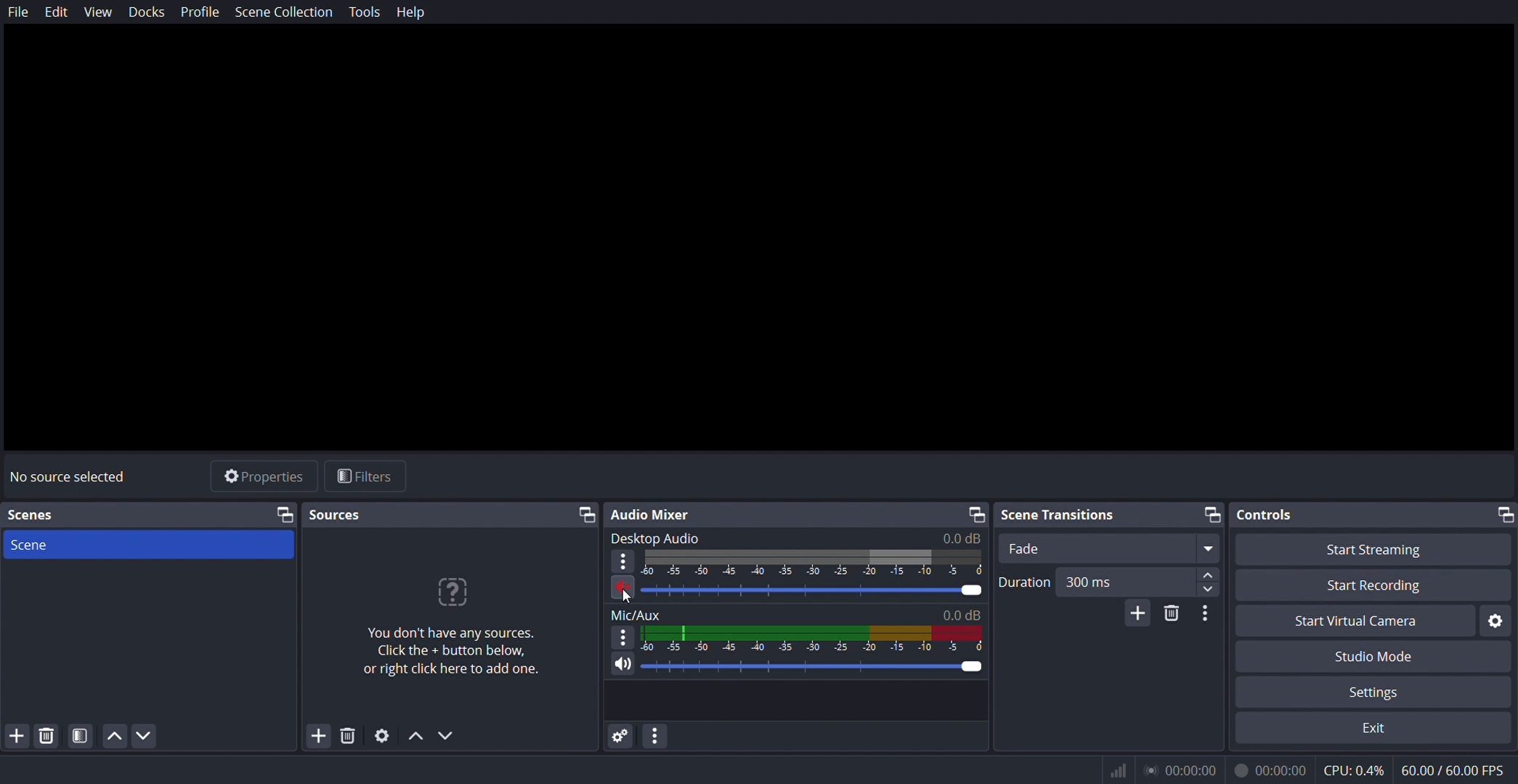  What do you see at coordinates (363, 13) in the screenshot?
I see `tools` at bounding box center [363, 13].